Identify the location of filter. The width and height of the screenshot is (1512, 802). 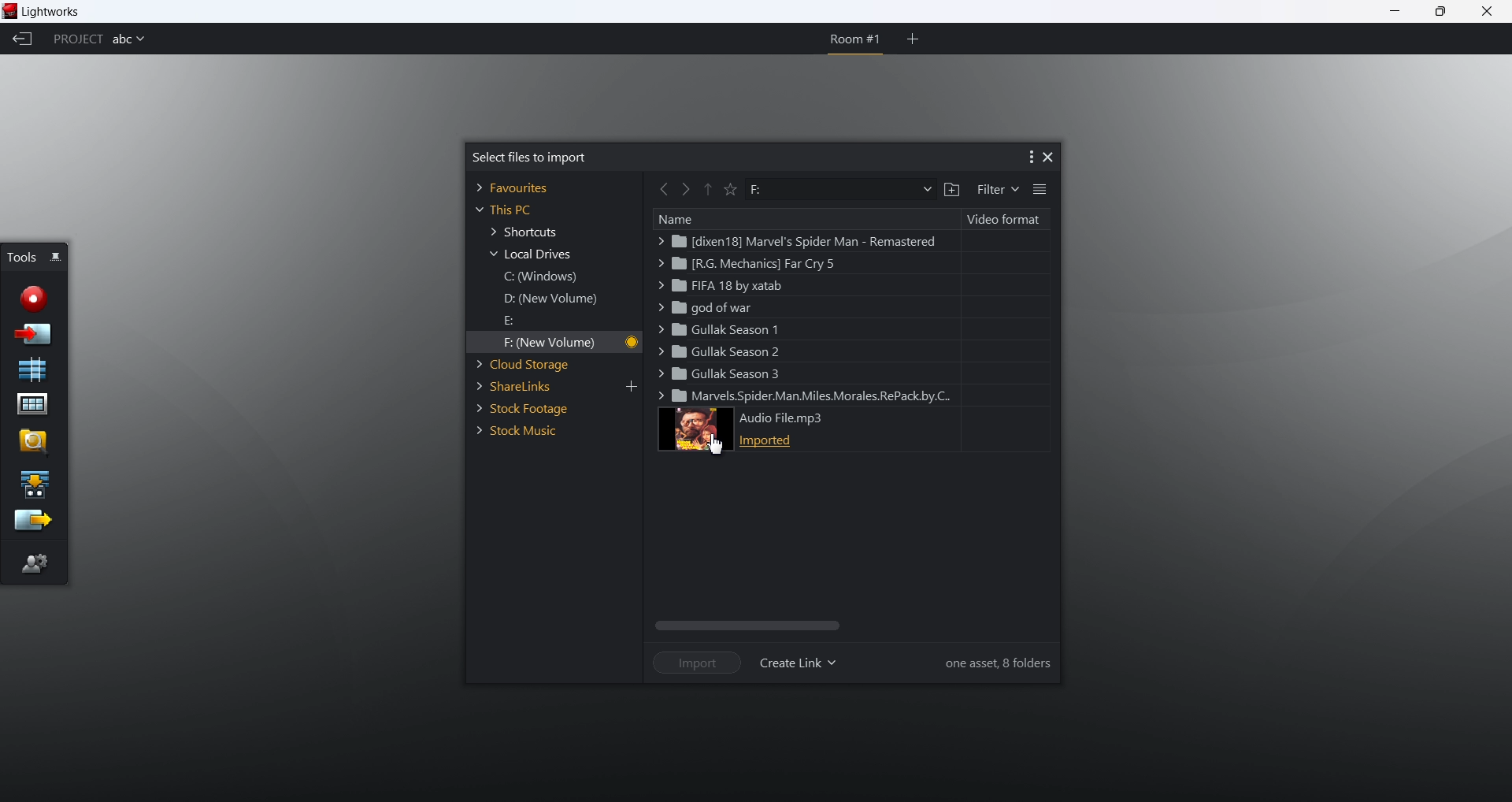
(998, 189).